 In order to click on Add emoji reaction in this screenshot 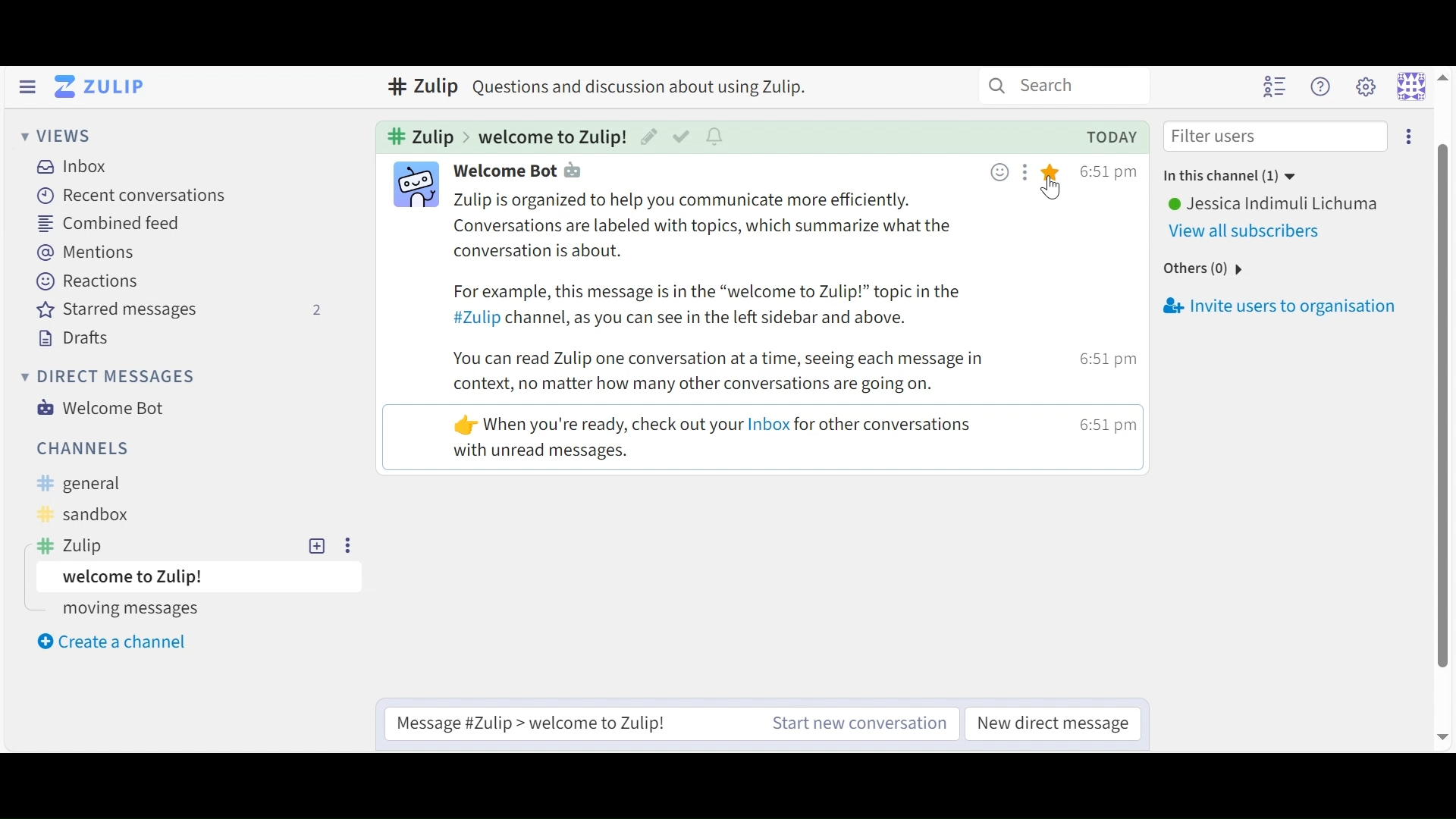, I will do `click(999, 170)`.